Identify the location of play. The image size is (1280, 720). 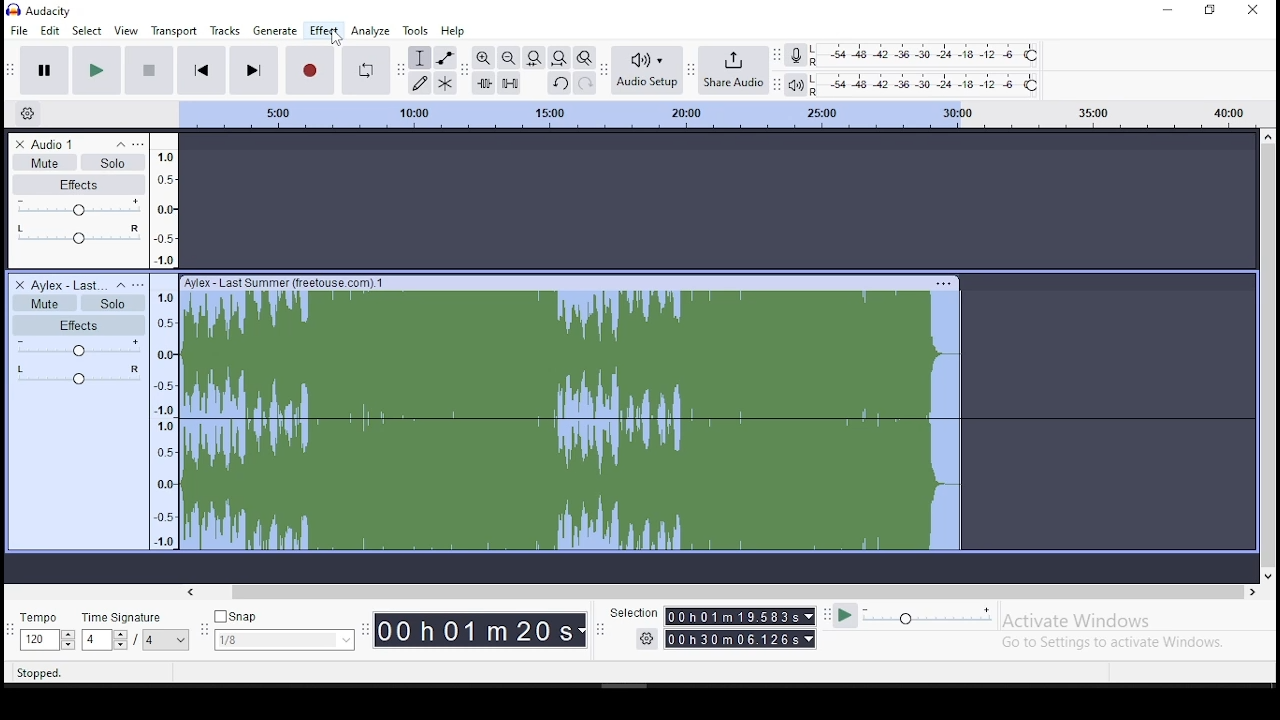
(96, 70).